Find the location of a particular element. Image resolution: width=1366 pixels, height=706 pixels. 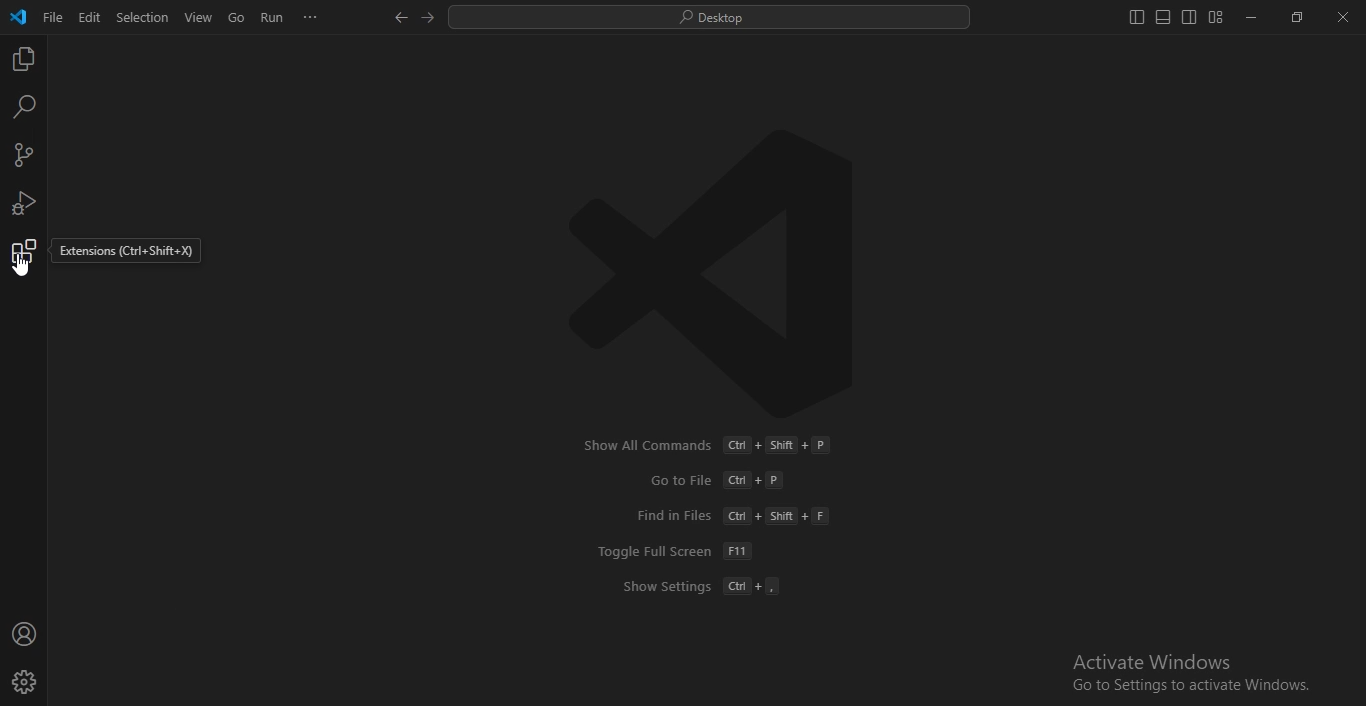

profile is located at coordinates (26, 682).